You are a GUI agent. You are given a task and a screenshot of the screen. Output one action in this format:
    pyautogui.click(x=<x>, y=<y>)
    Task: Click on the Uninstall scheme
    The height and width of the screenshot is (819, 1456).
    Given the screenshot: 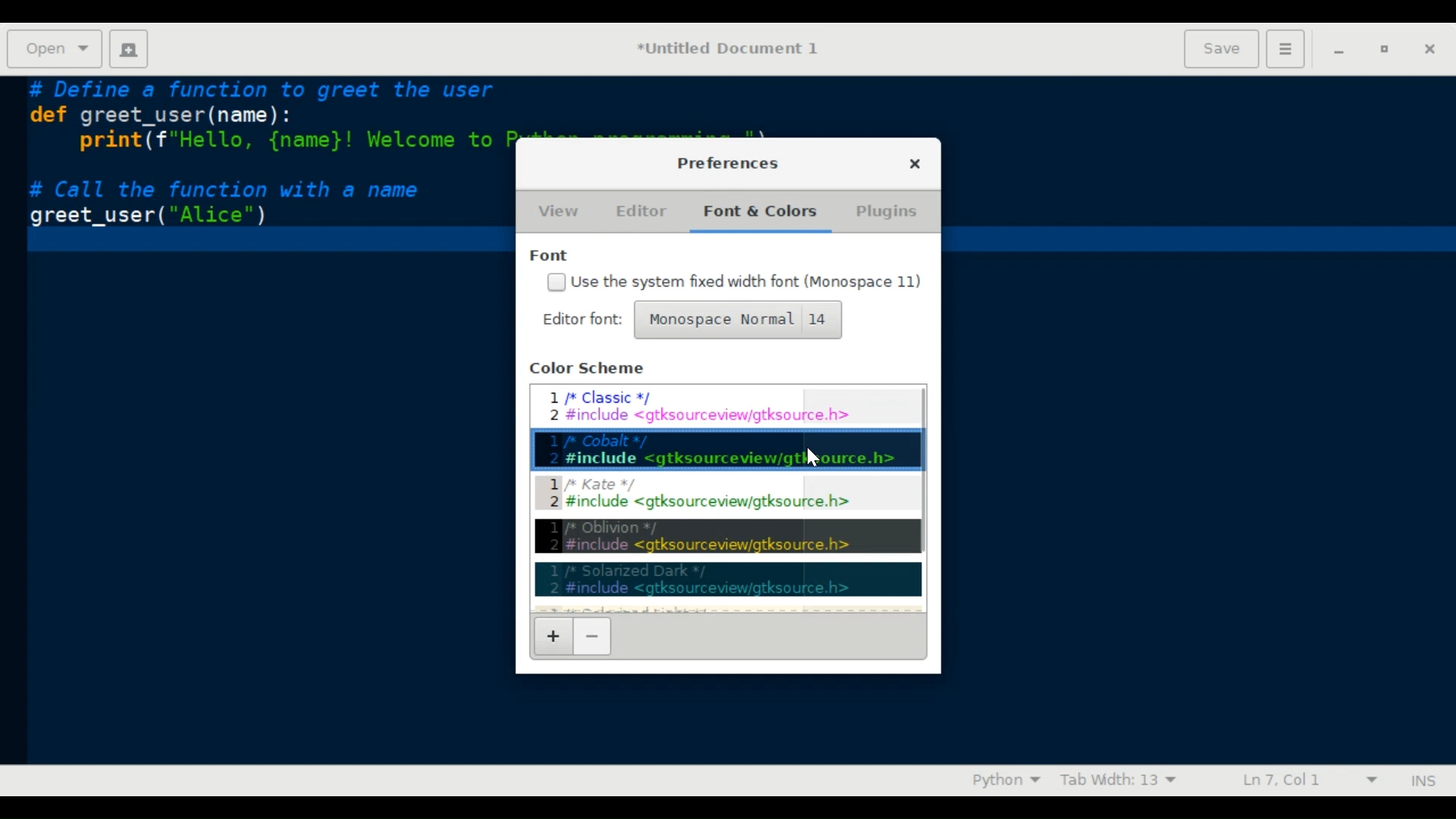 What is the action you would take?
    pyautogui.click(x=591, y=638)
    